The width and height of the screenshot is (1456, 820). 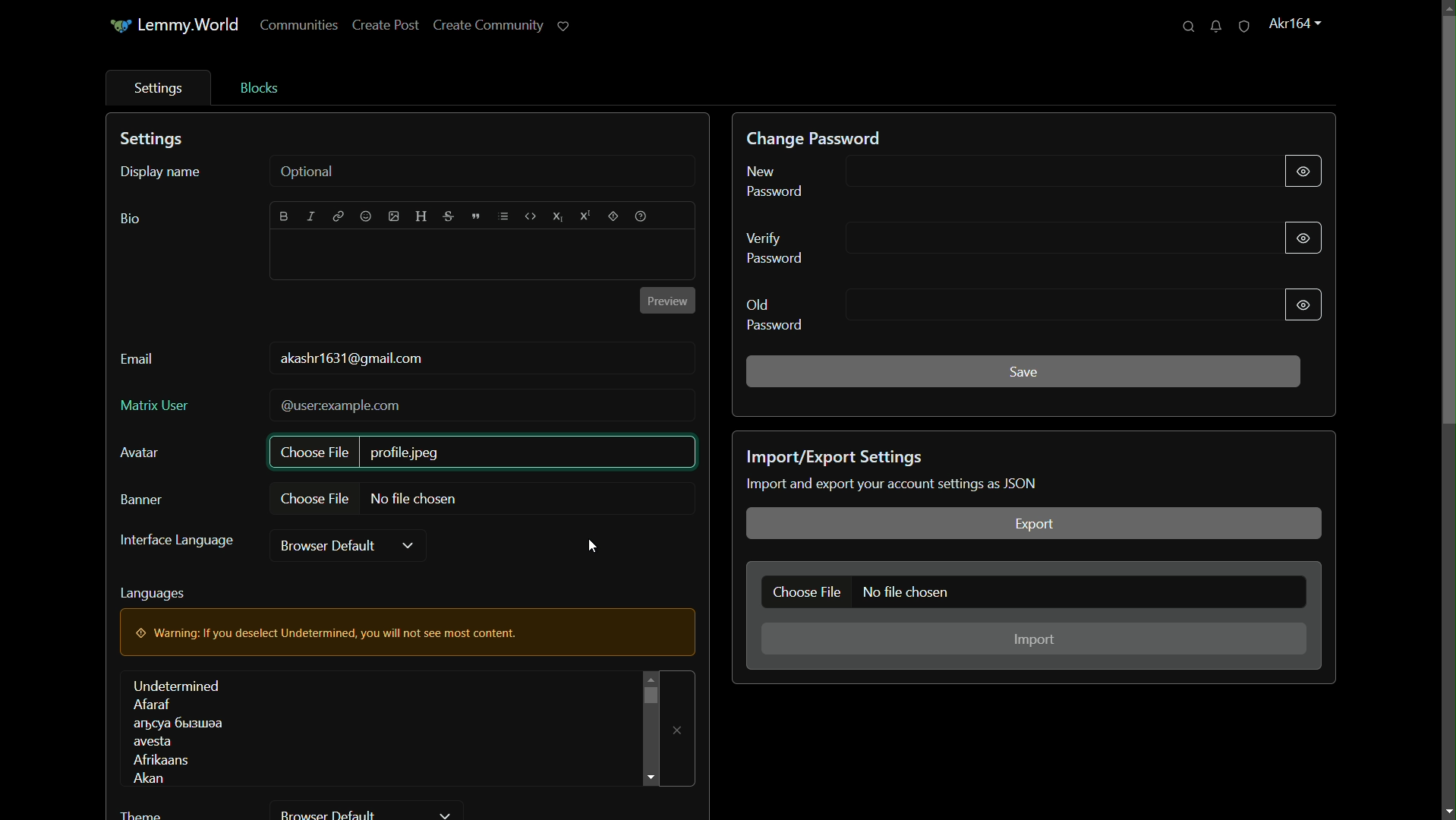 I want to click on link, so click(x=338, y=218).